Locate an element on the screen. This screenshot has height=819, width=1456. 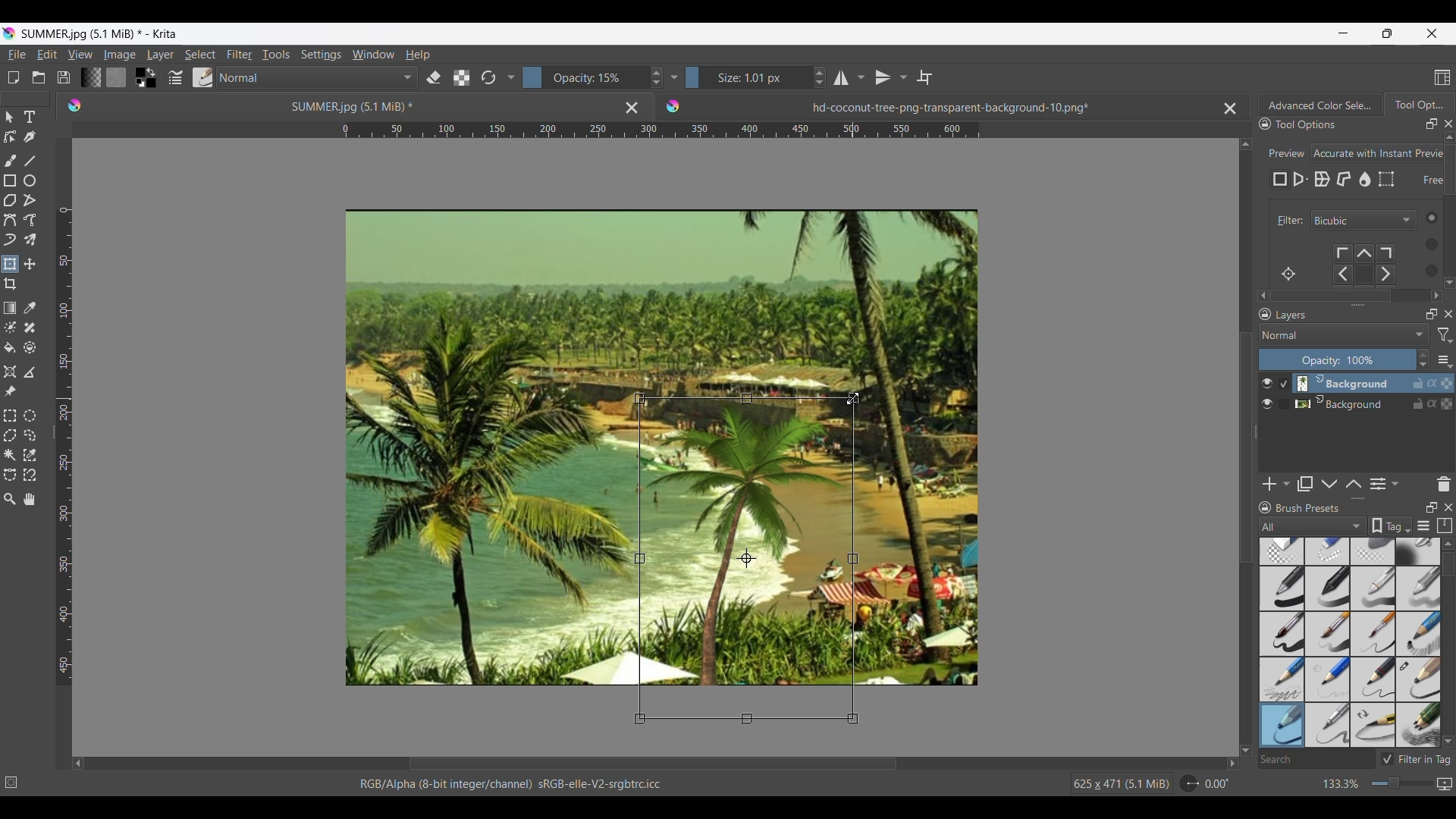
pencil 6 - quick shade is located at coordinates (1374, 724).